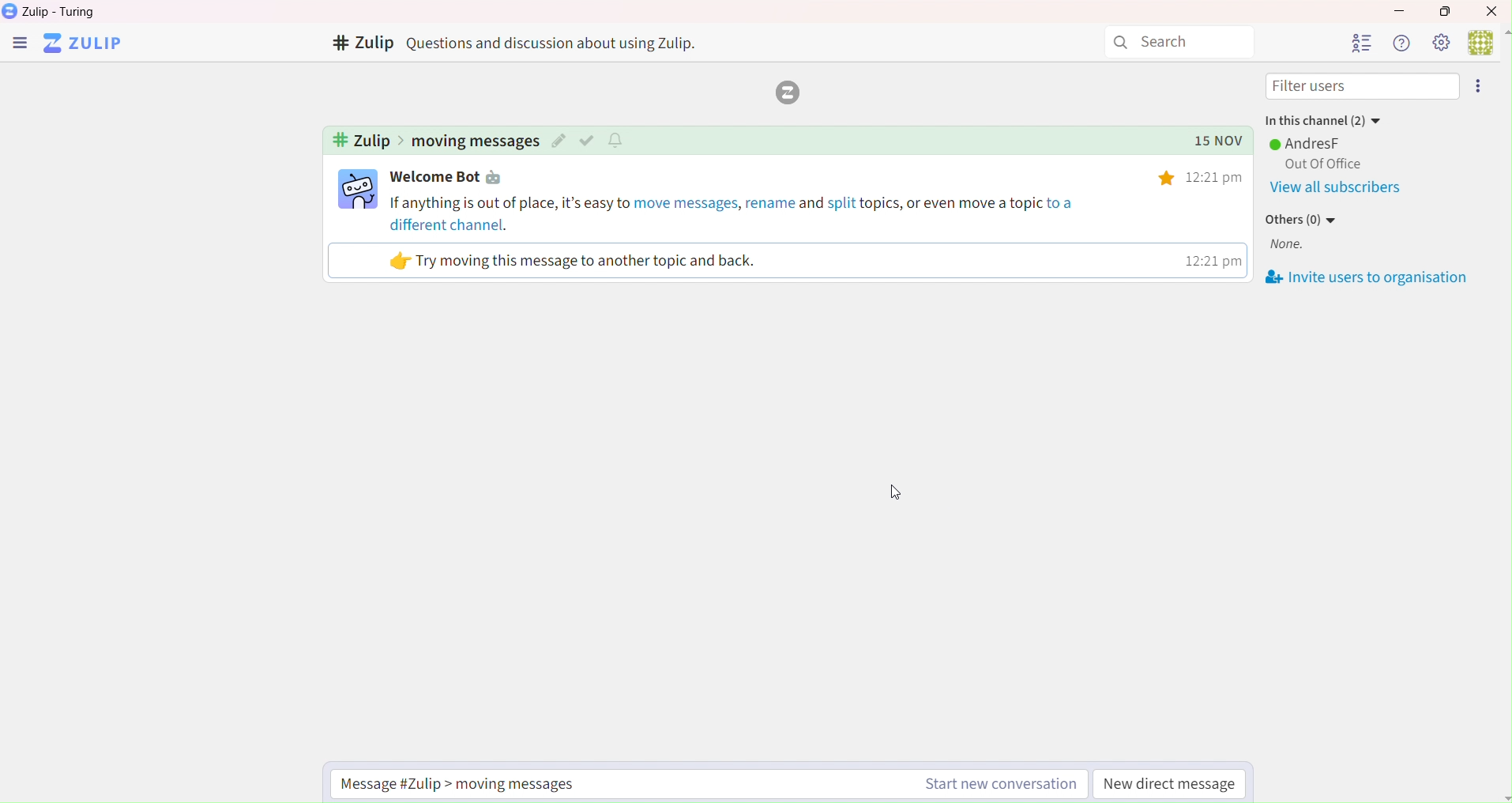 Image resolution: width=1512 pixels, height=803 pixels. What do you see at coordinates (1340, 188) in the screenshot?
I see `View All subscribers` at bounding box center [1340, 188].